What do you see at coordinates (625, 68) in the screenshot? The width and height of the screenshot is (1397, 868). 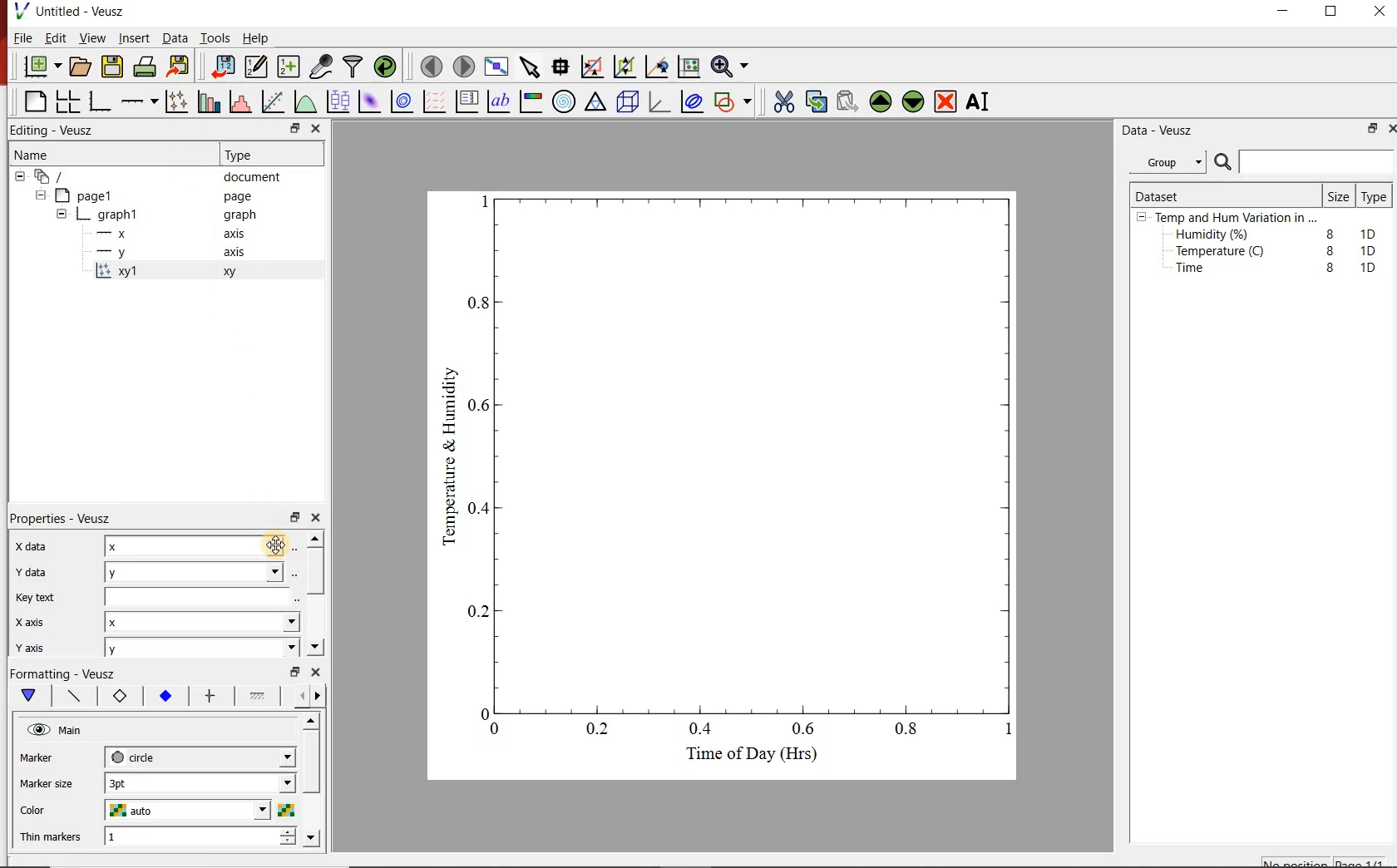 I see `click to zoom out of graph axes` at bounding box center [625, 68].